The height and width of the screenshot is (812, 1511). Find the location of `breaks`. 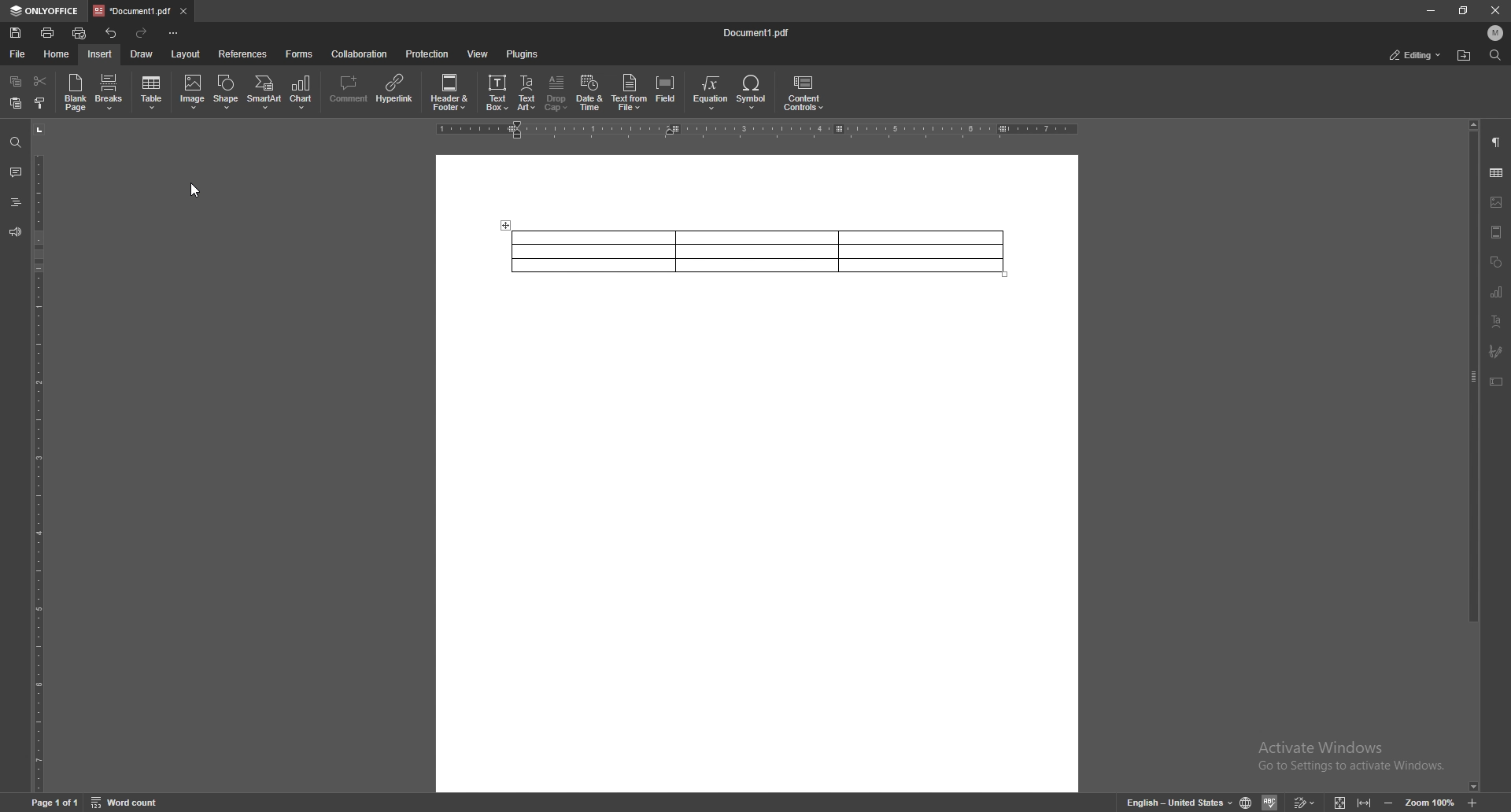

breaks is located at coordinates (111, 91).